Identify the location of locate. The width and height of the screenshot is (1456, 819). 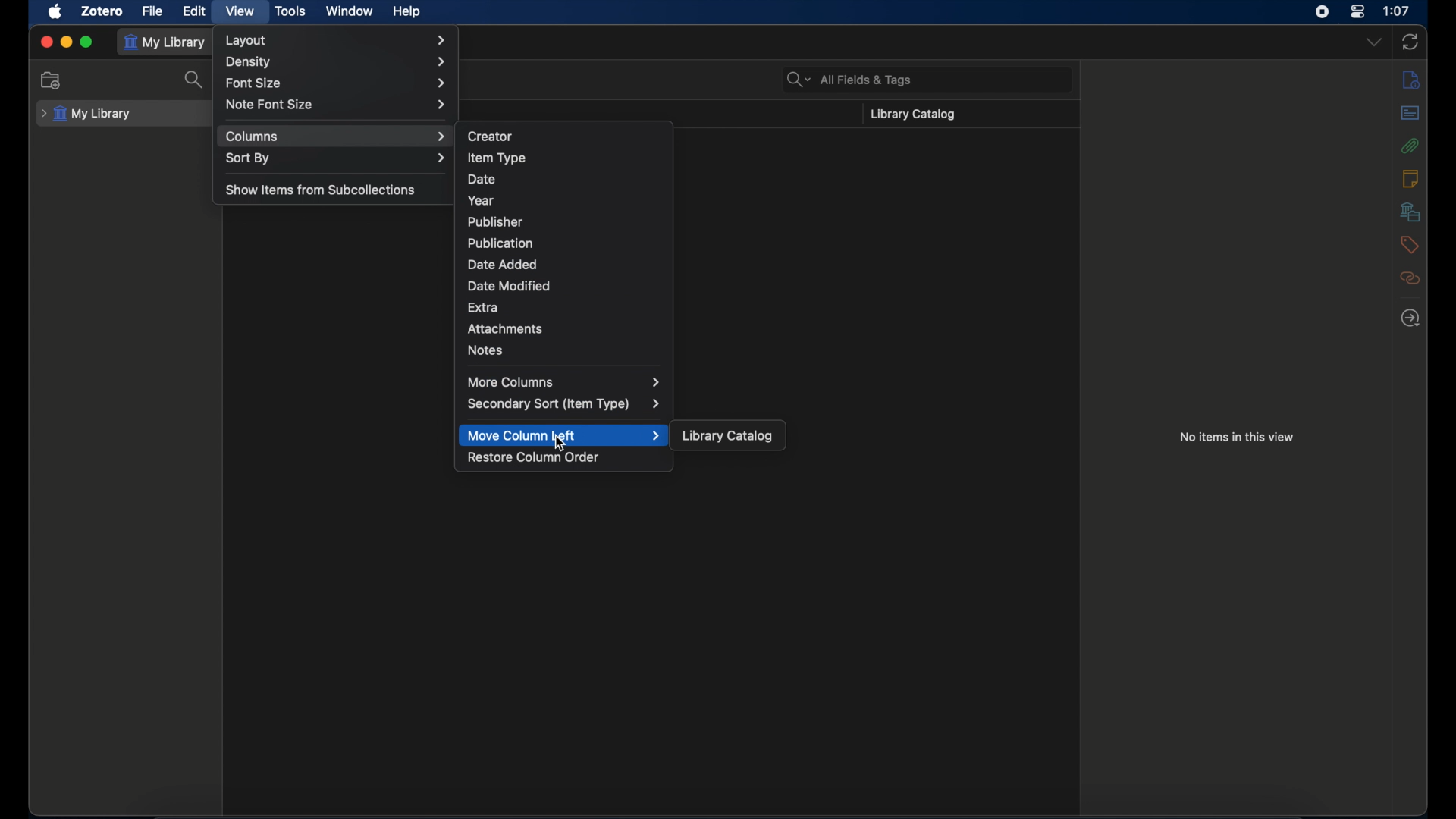
(1411, 319).